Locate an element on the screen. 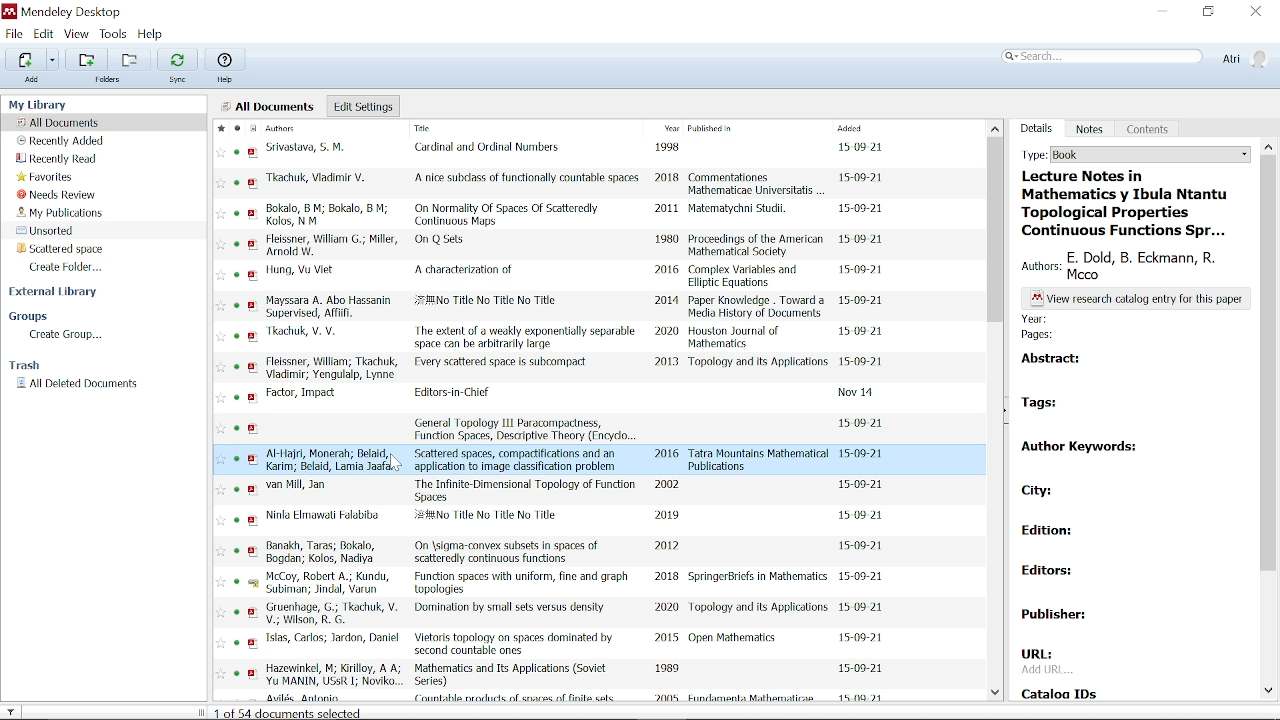  author keywords is located at coordinates (1078, 451).